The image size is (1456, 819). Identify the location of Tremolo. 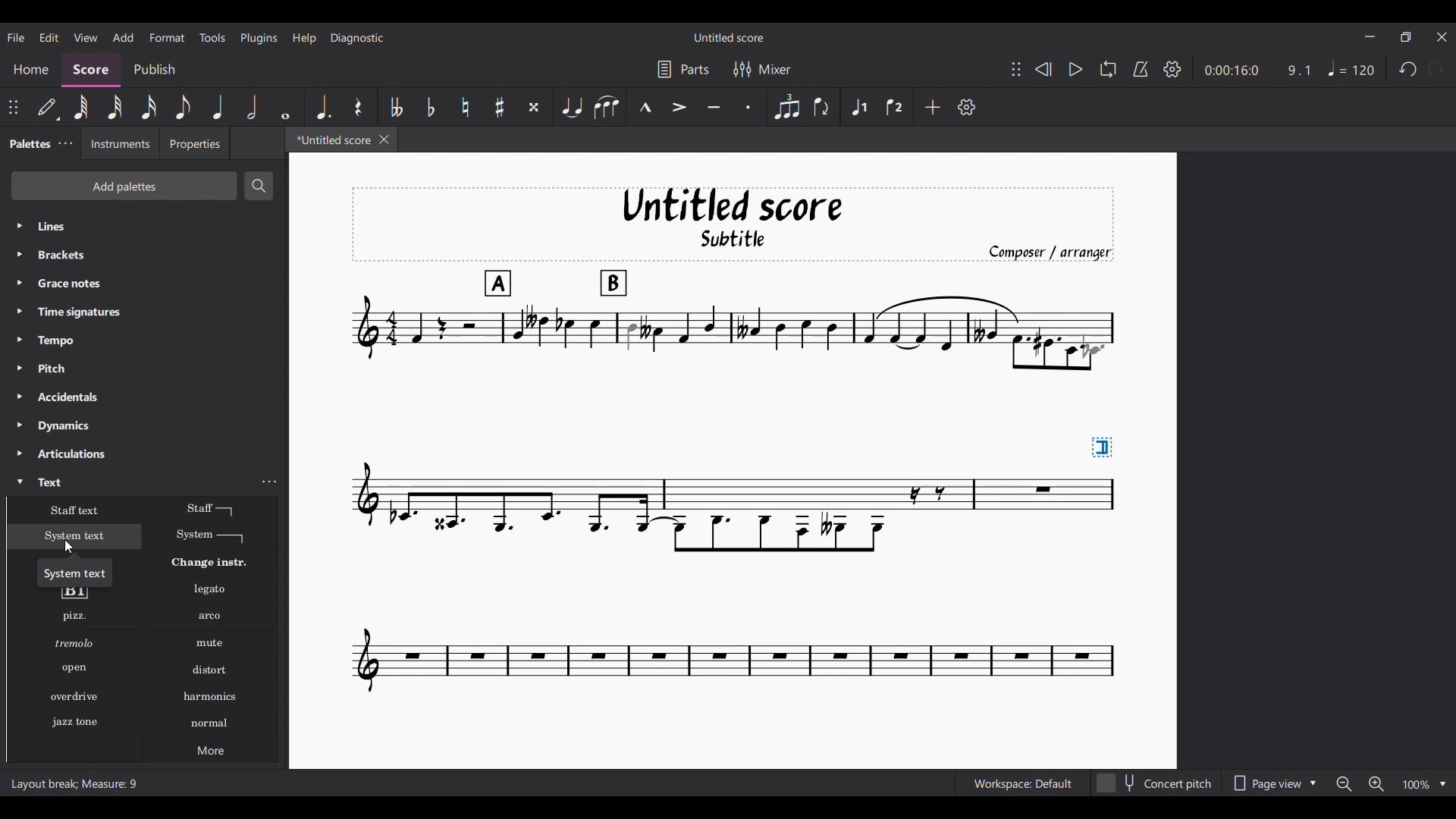
(74, 642).